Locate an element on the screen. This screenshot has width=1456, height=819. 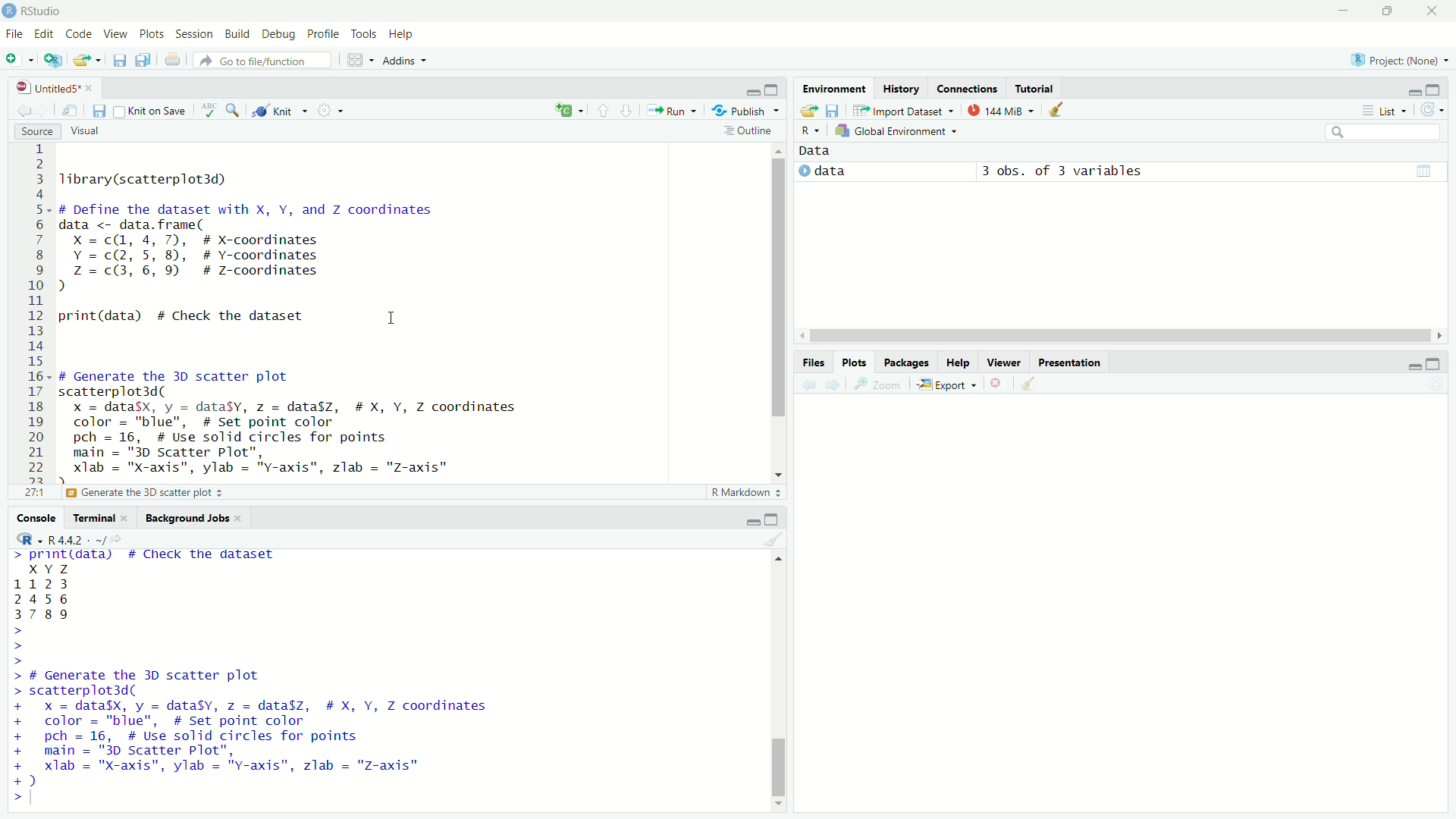
open an existing file is located at coordinates (86, 58).